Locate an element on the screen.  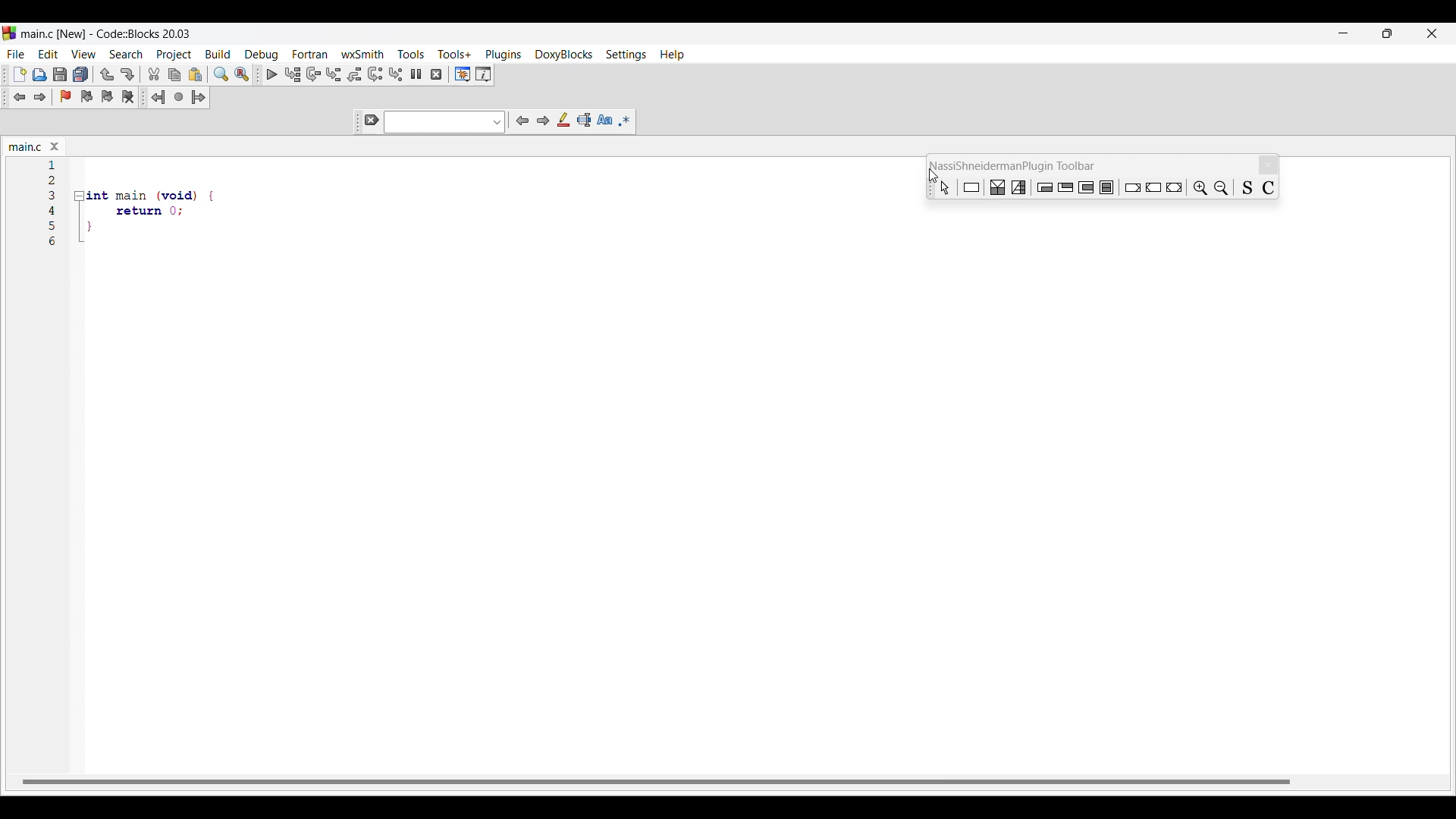
 is located at coordinates (1066, 188).